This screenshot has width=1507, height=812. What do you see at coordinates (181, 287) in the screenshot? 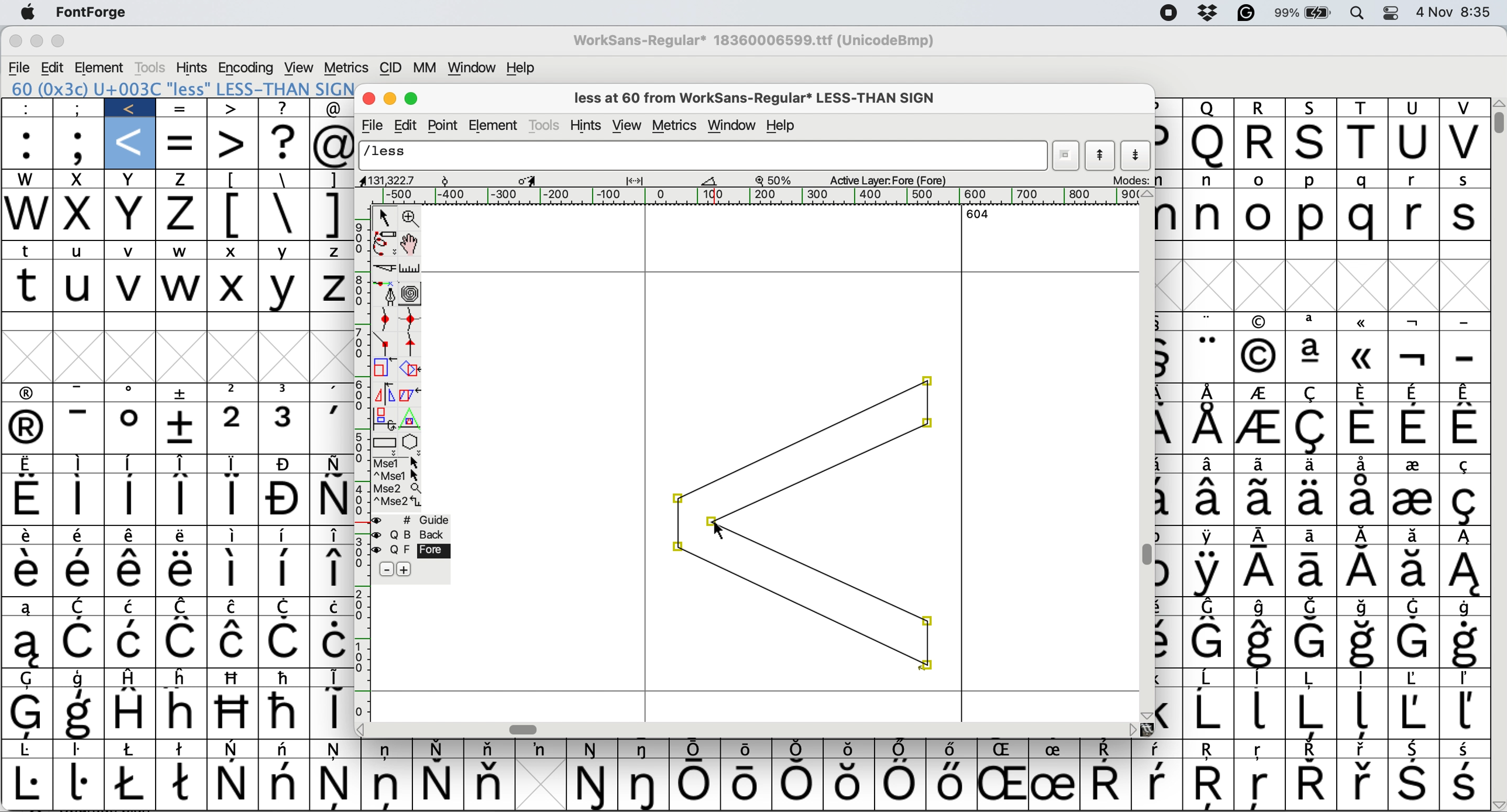
I see `w` at bounding box center [181, 287].